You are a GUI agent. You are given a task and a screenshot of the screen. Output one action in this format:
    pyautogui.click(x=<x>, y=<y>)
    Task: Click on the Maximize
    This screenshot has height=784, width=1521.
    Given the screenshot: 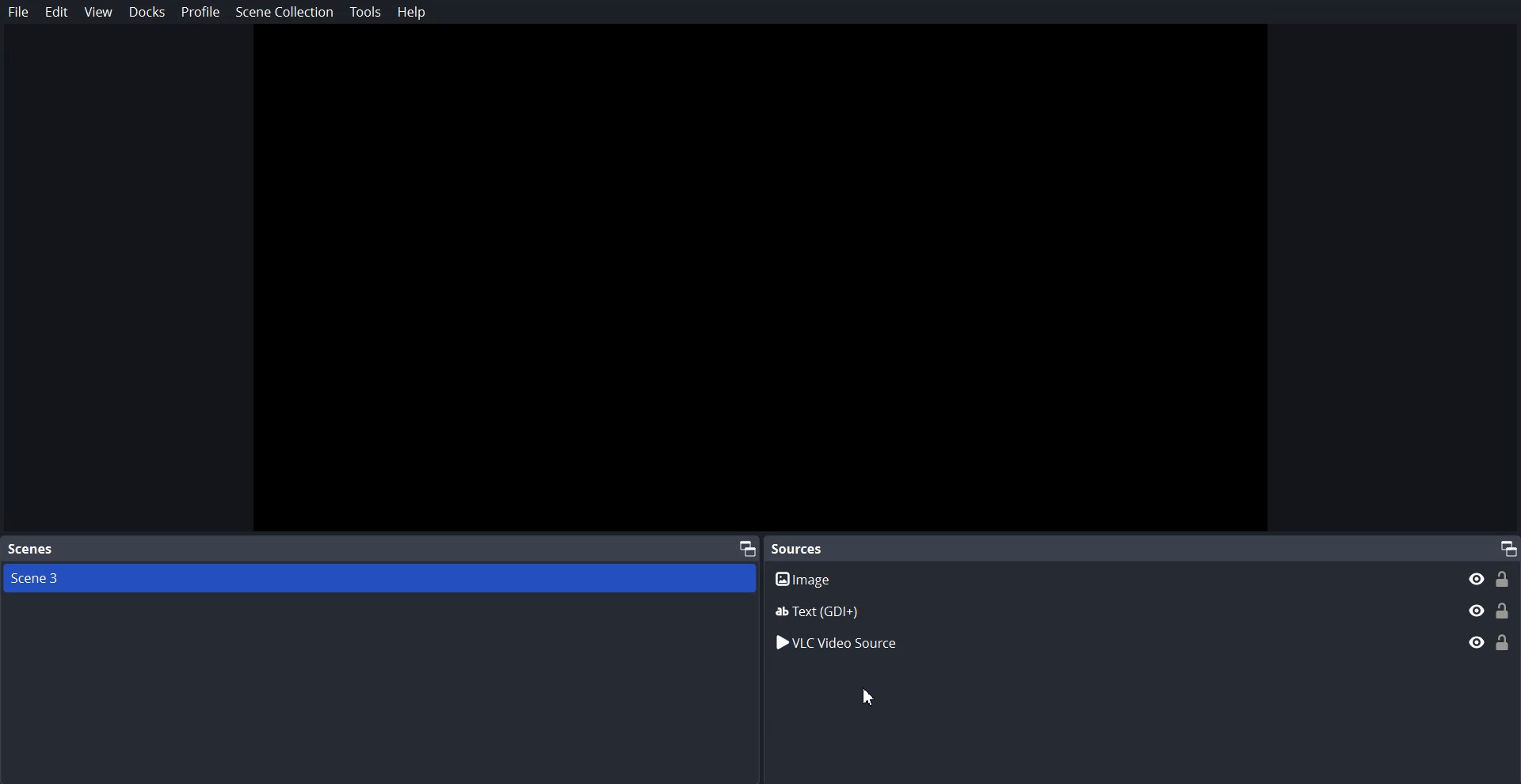 What is the action you would take?
    pyautogui.click(x=748, y=547)
    